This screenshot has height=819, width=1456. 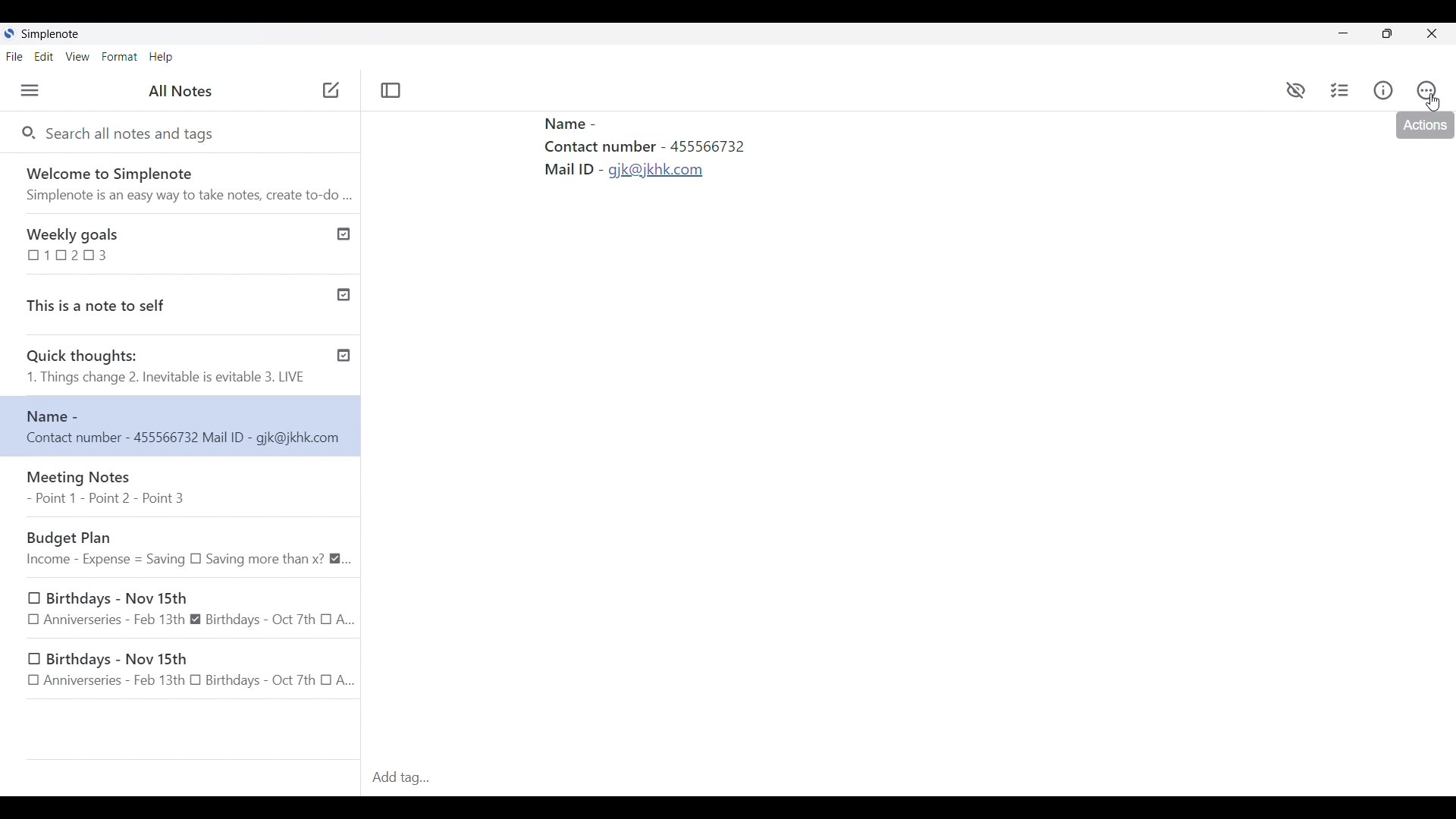 I want to click on  Birthdays - Nov 15th , so click(x=192, y=607).